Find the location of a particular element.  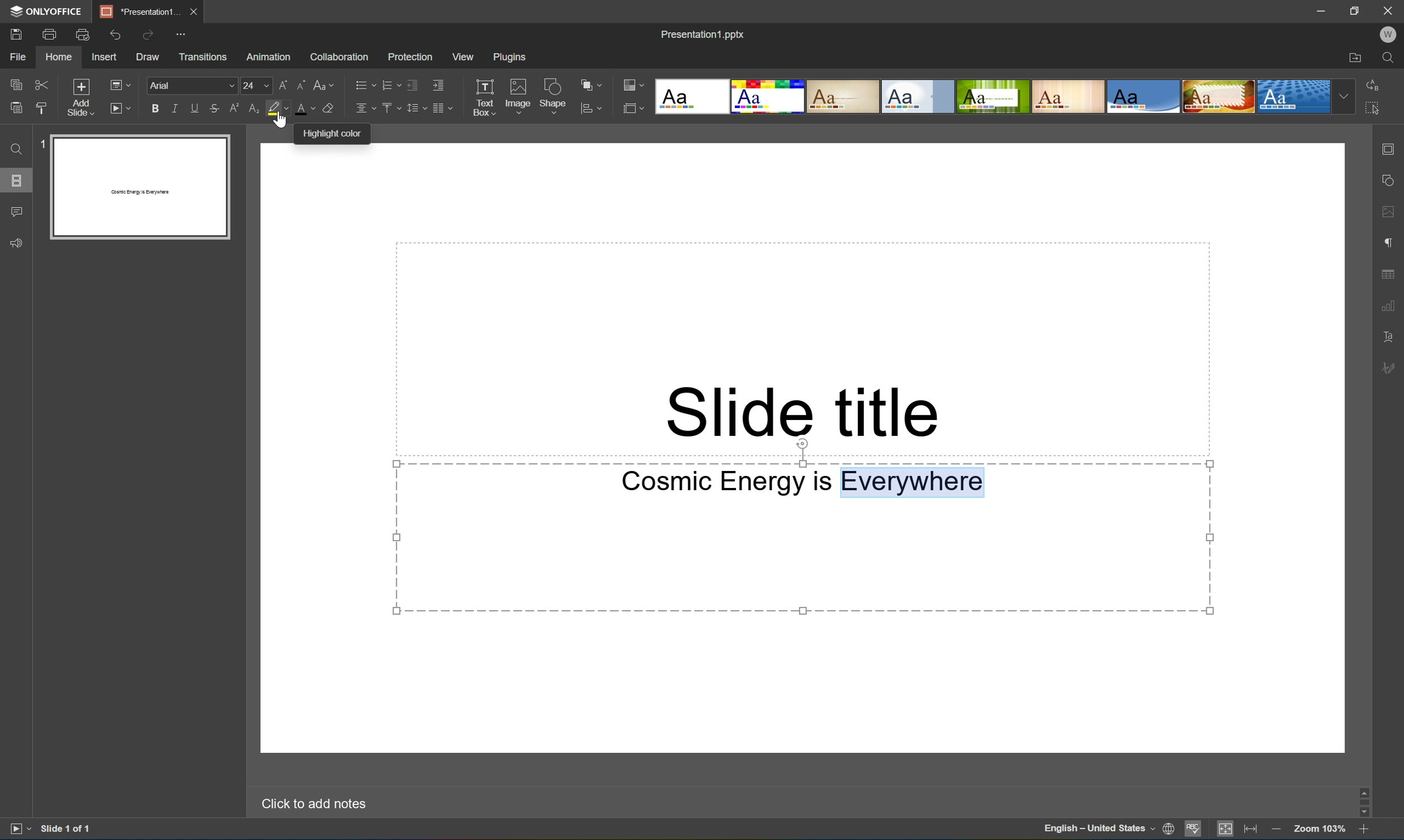

Cosmic Energy is Everywhere is located at coordinates (802, 483).